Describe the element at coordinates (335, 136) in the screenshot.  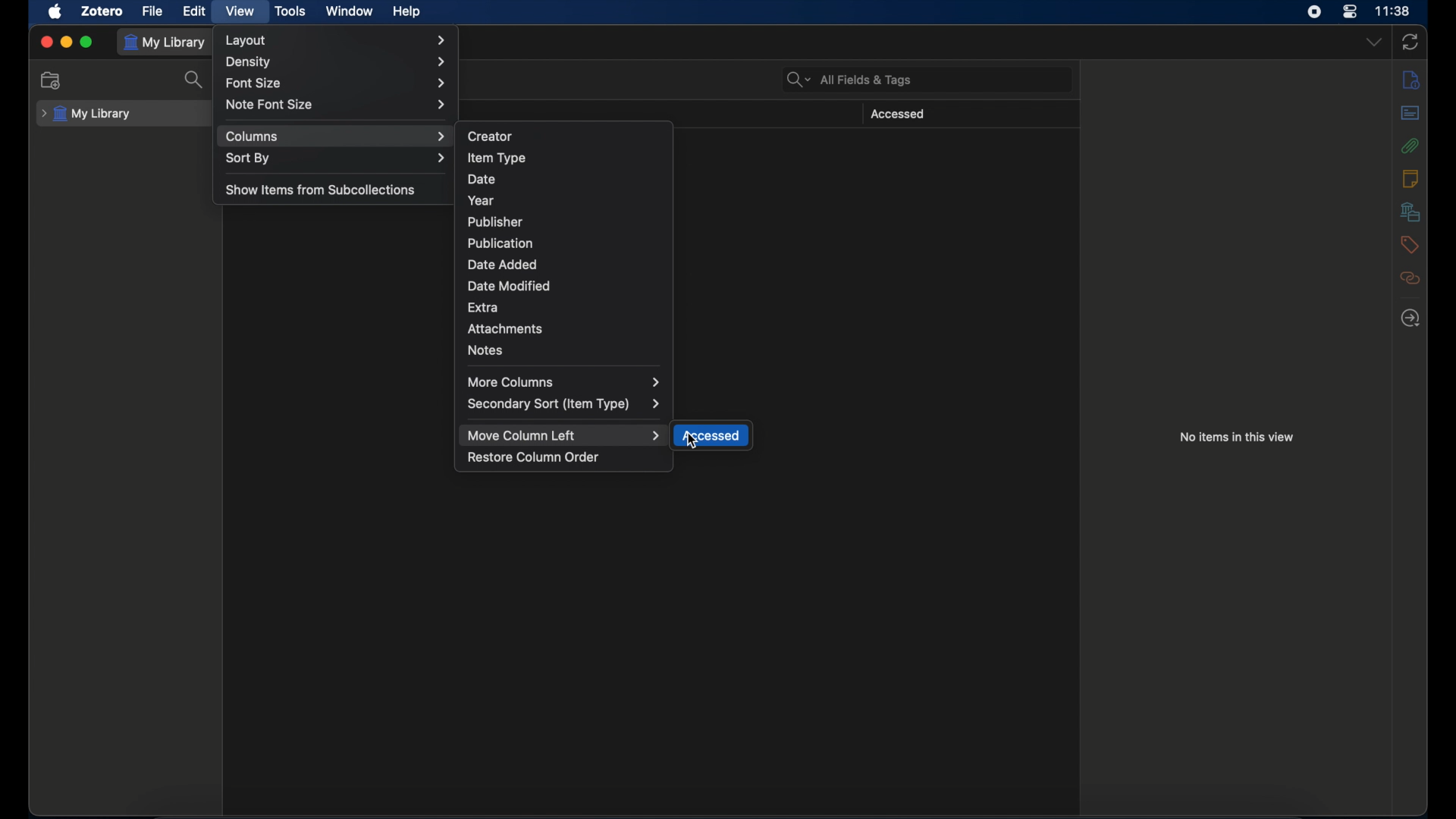
I see `columns` at that location.